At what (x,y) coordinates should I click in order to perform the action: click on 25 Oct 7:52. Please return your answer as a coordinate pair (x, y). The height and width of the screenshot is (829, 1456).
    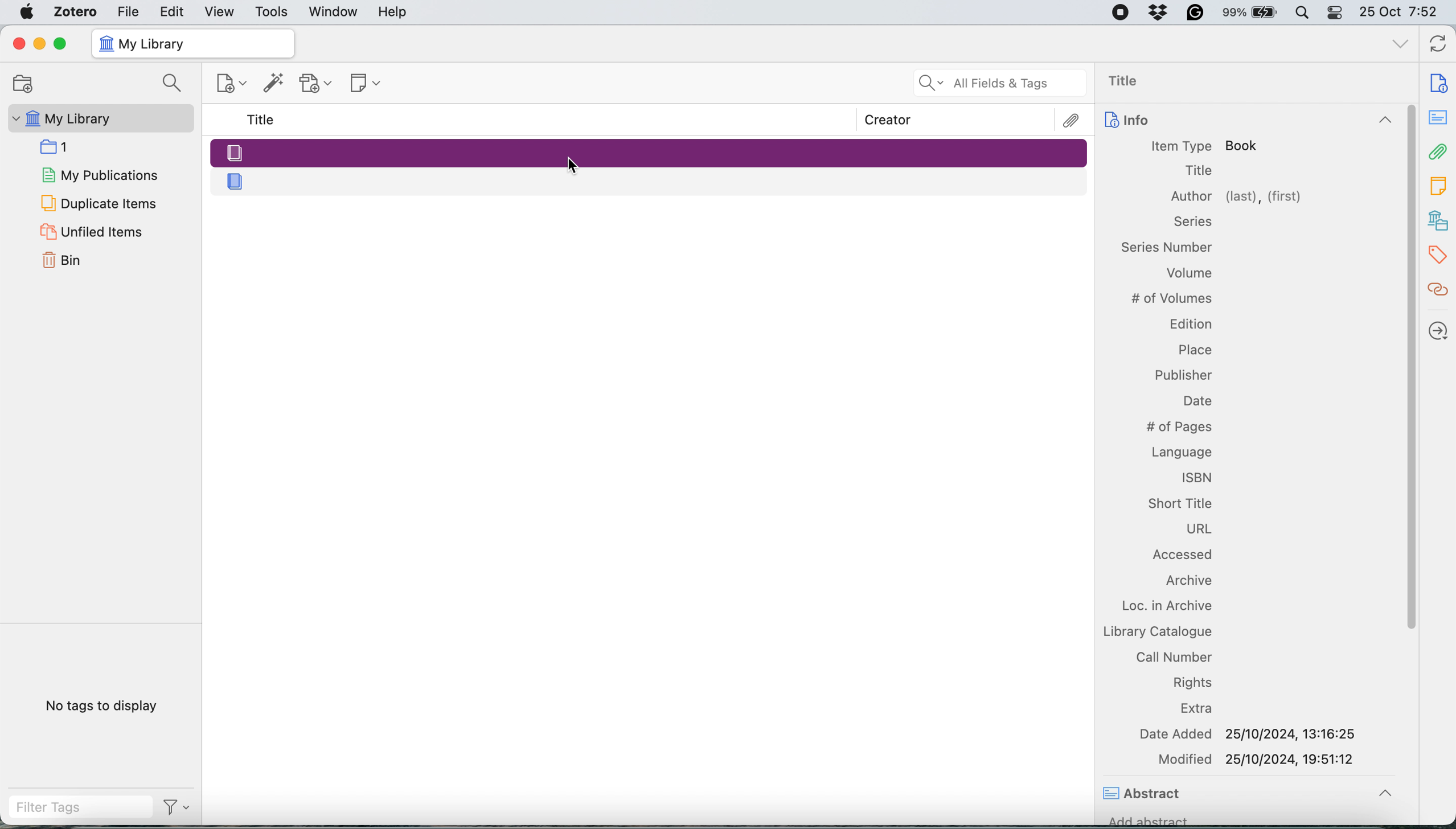
    Looking at the image, I should click on (1404, 13).